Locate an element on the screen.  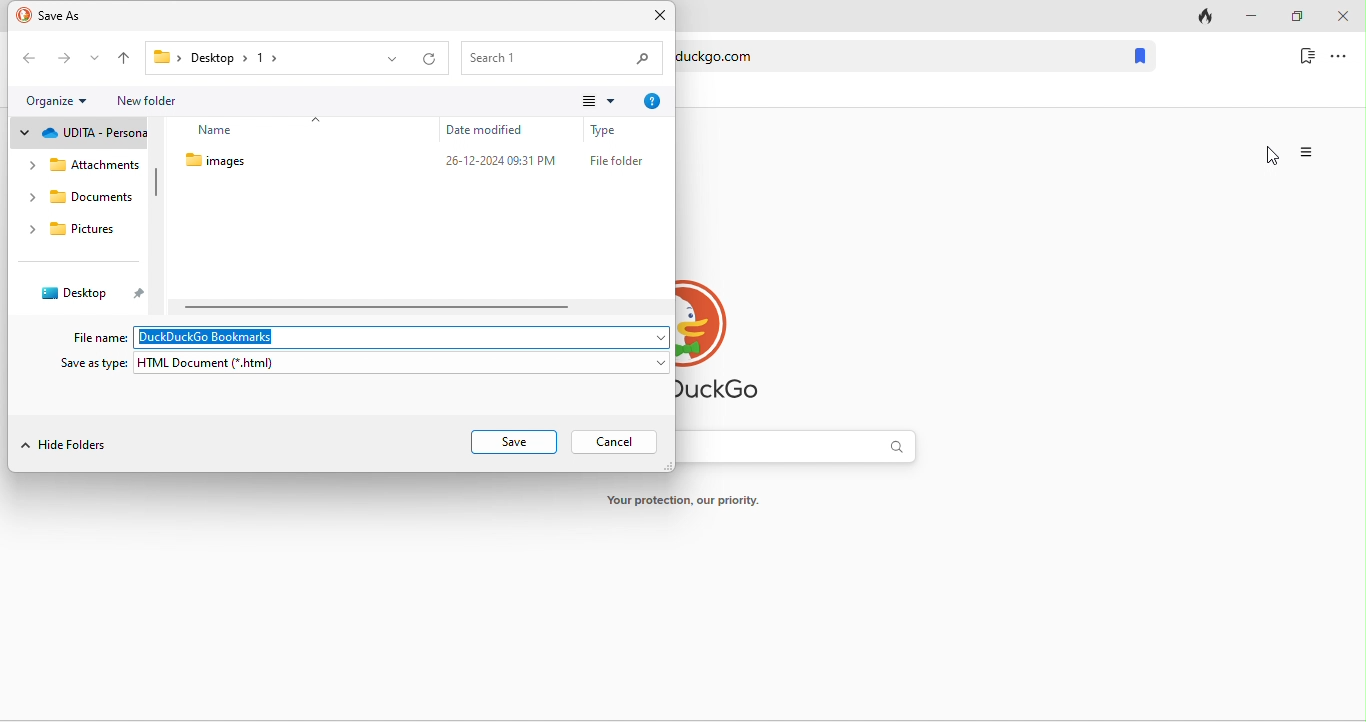
file name is located at coordinates (99, 337).